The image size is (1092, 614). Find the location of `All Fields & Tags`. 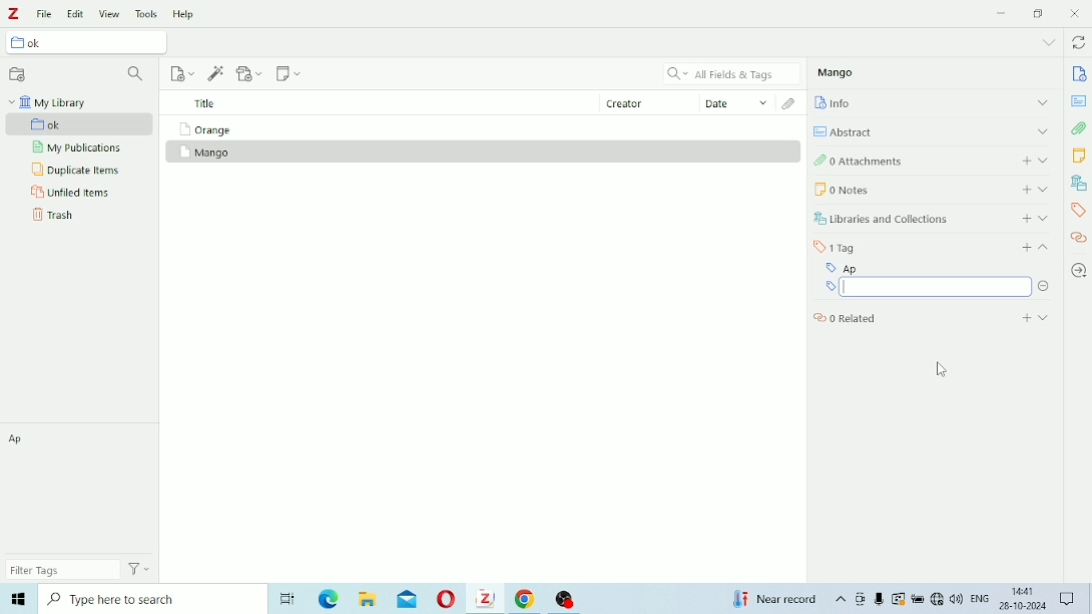

All Fields & Tags is located at coordinates (734, 74).